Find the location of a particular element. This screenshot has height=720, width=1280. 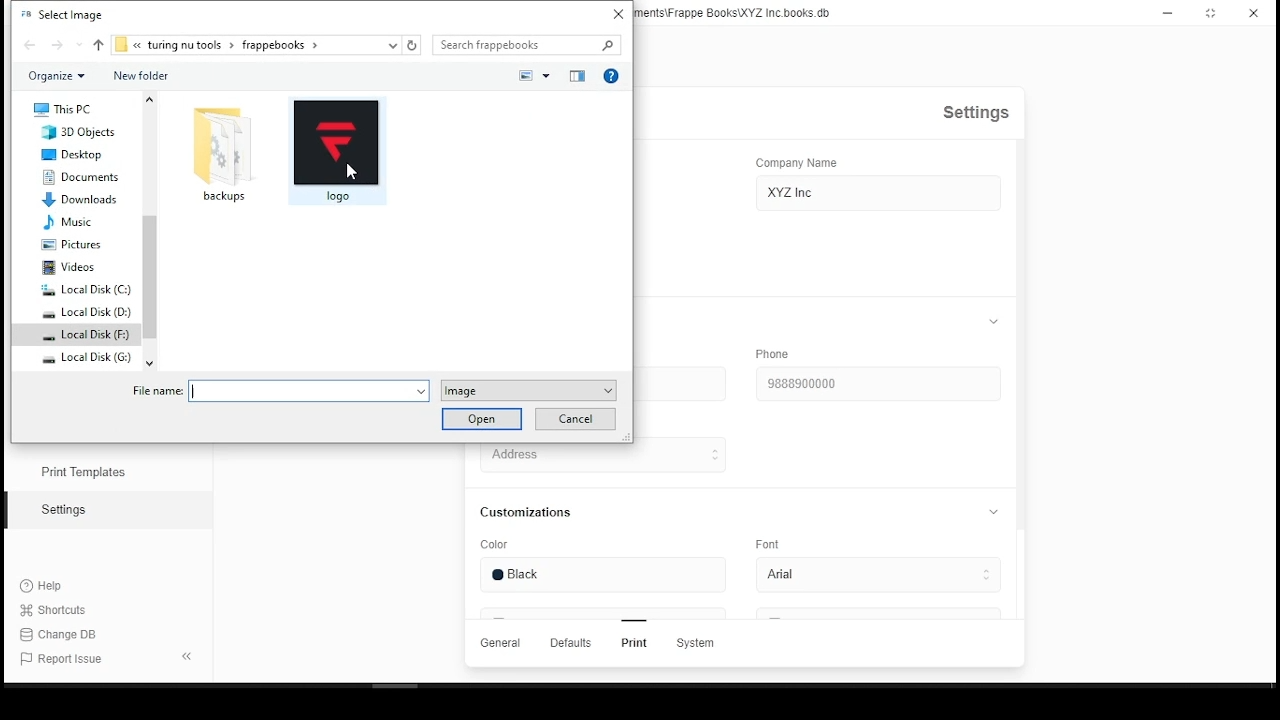

XYZ inc is located at coordinates (790, 193).